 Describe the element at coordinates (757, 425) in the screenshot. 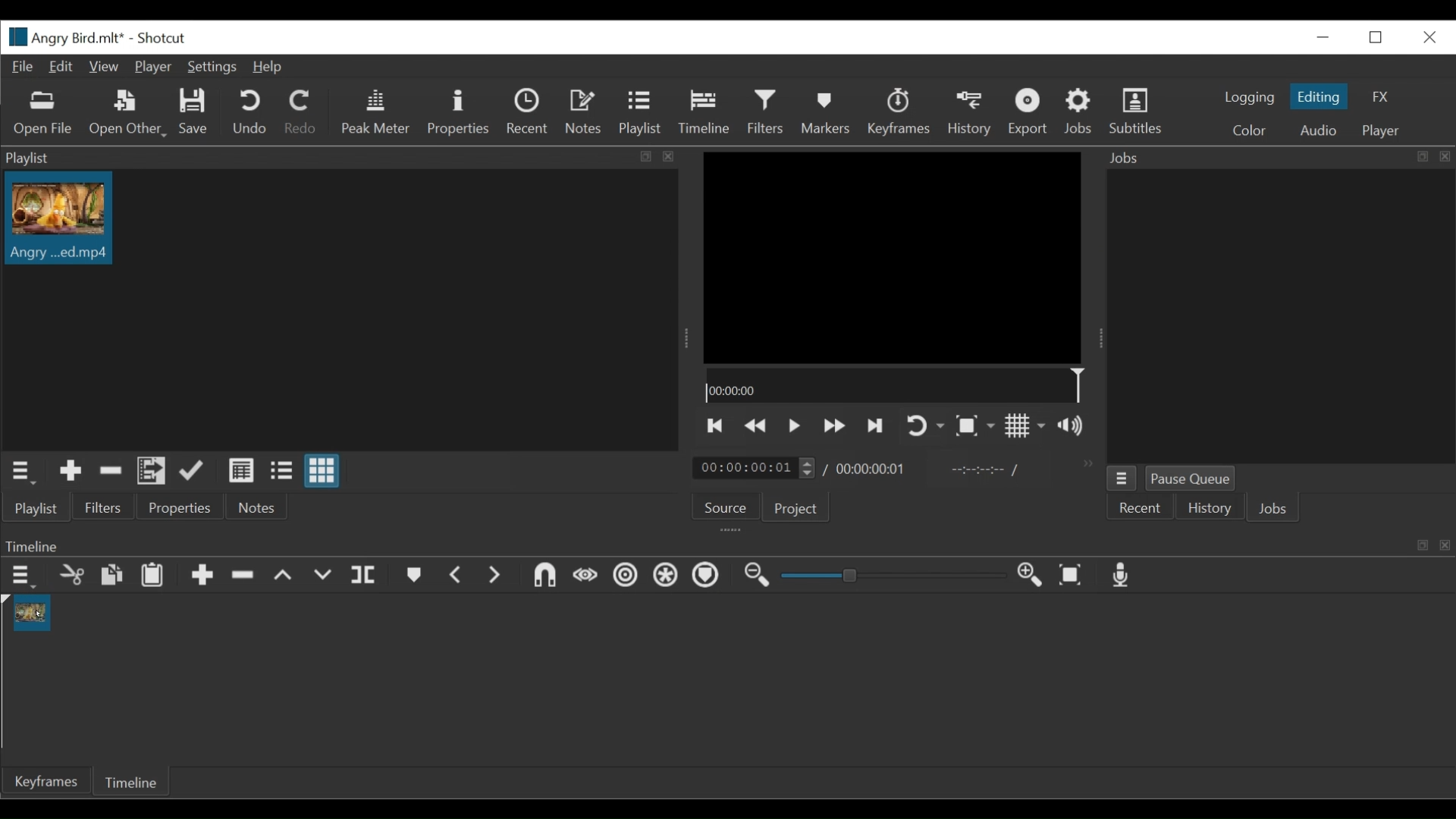

I see `Play backward quickly` at that location.